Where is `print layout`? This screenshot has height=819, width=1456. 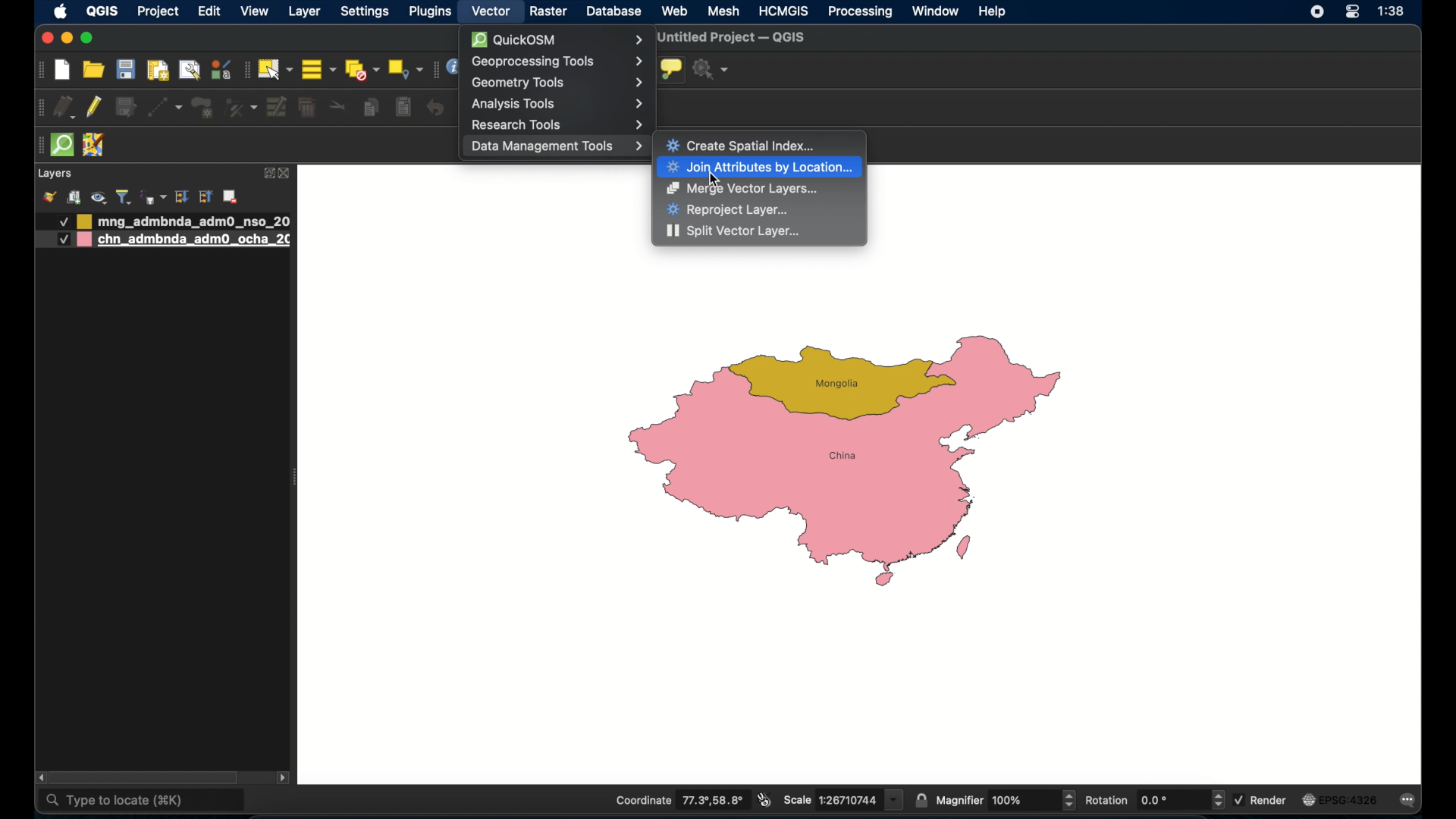
print layout is located at coordinates (157, 71).